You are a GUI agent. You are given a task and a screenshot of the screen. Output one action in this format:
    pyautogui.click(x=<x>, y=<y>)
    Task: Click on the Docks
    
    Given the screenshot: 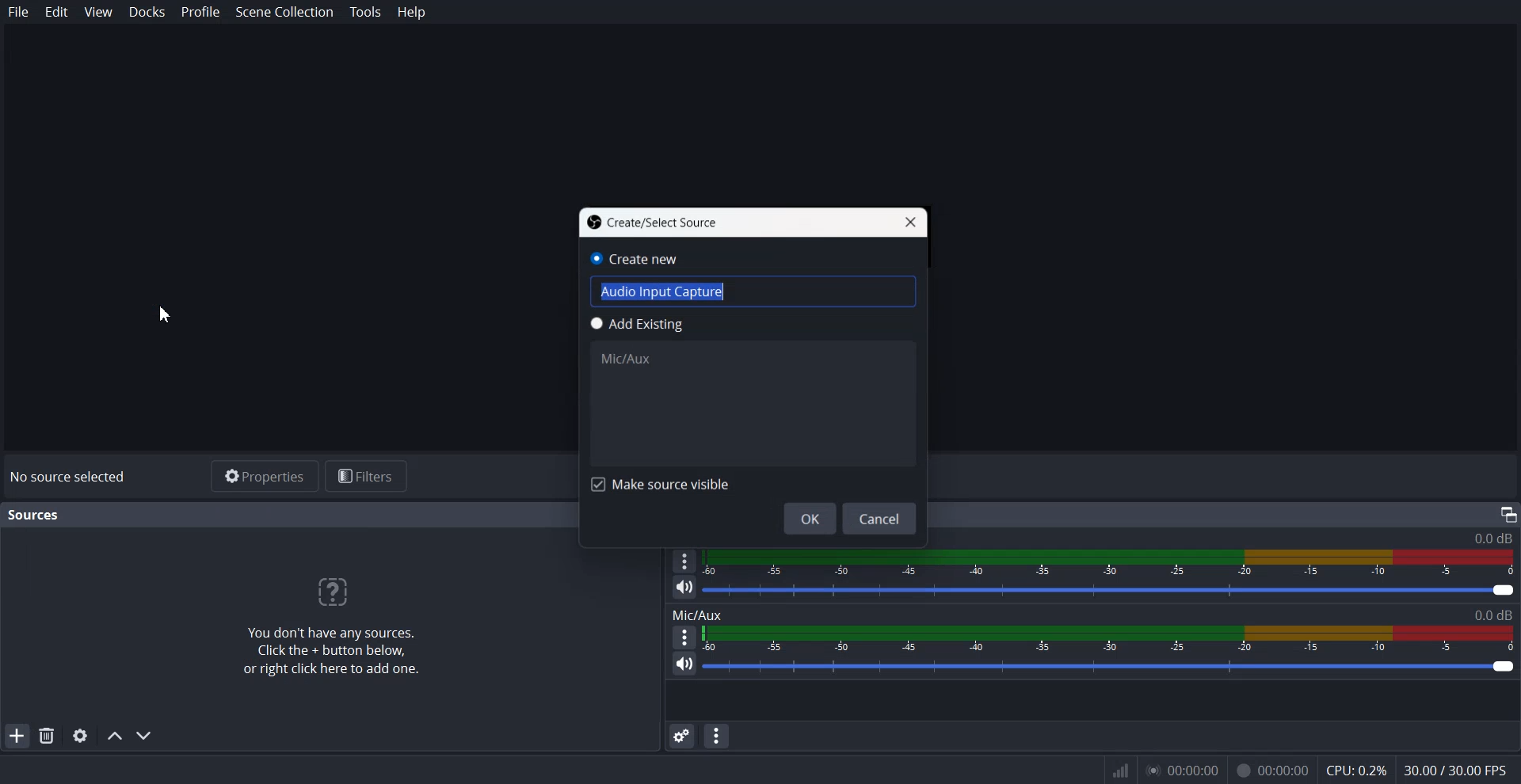 What is the action you would take?
    pyautogui.click(x=147, y=13)
    